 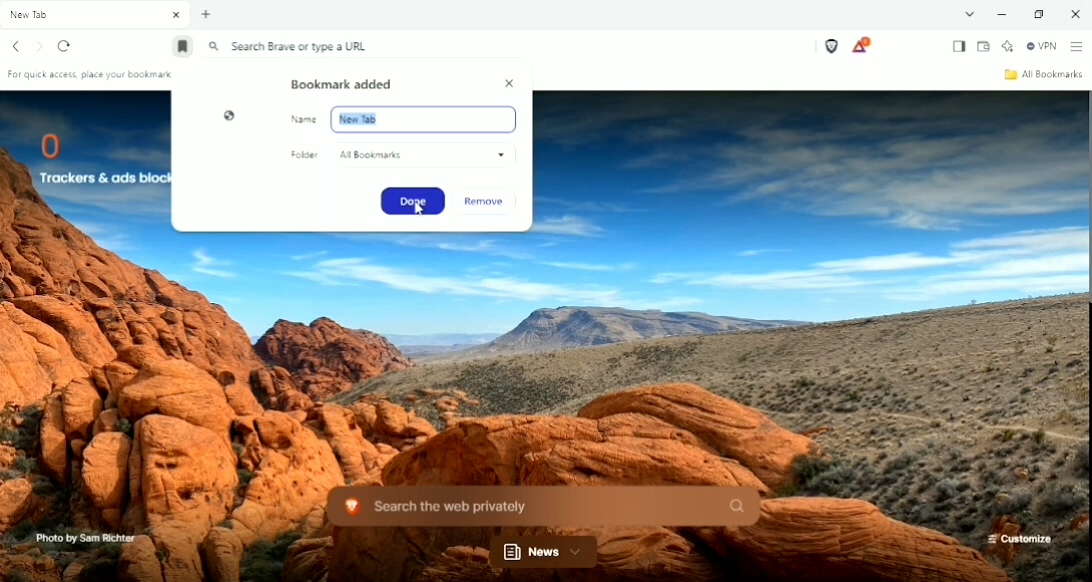 What do you see at coordinates (1076, 47) in the screenshot?
I see `Customize and Control Brave` at bounding box center [1076, 47].